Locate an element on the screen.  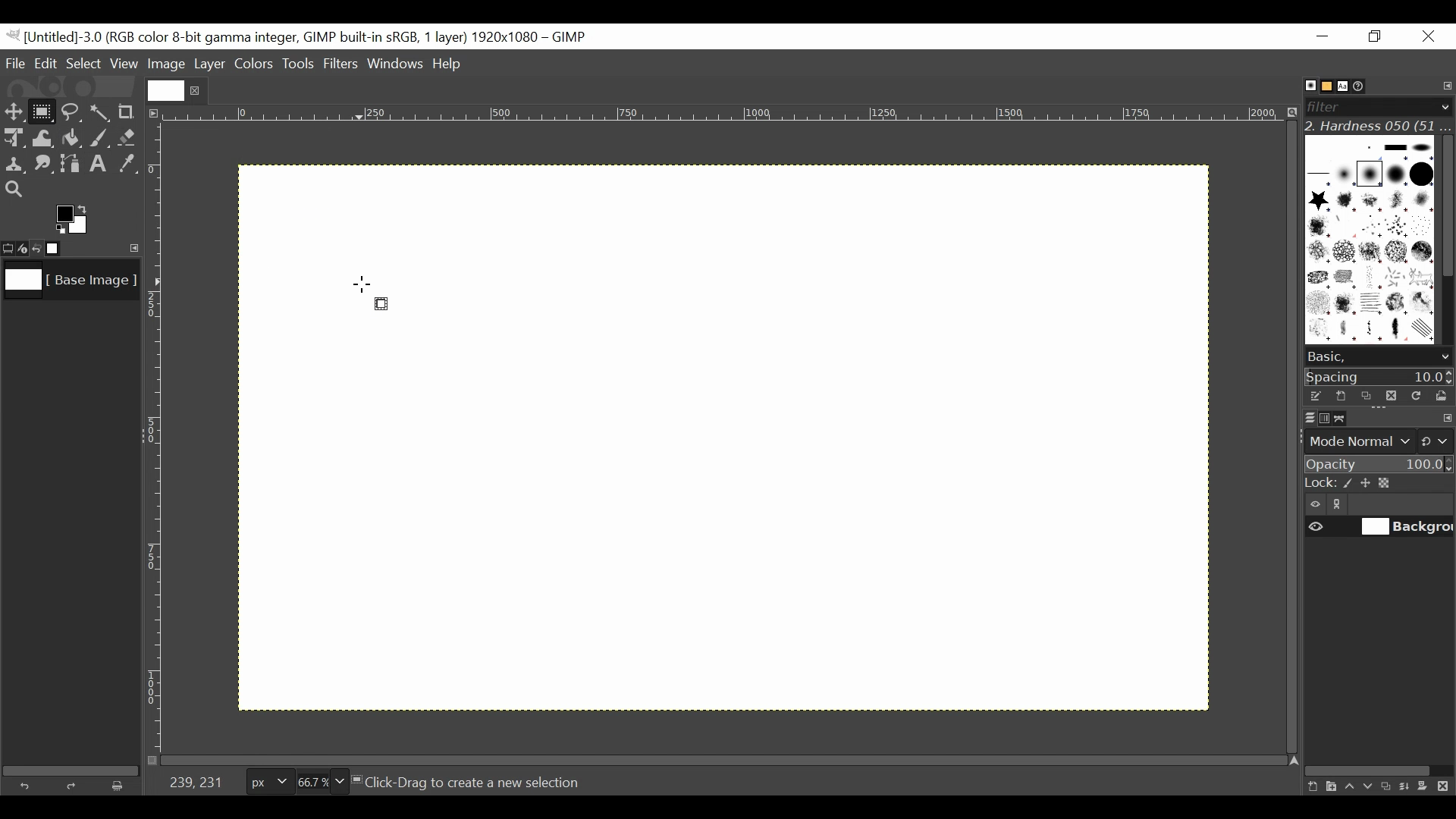
Layers is located at coordinates (1301, 417).